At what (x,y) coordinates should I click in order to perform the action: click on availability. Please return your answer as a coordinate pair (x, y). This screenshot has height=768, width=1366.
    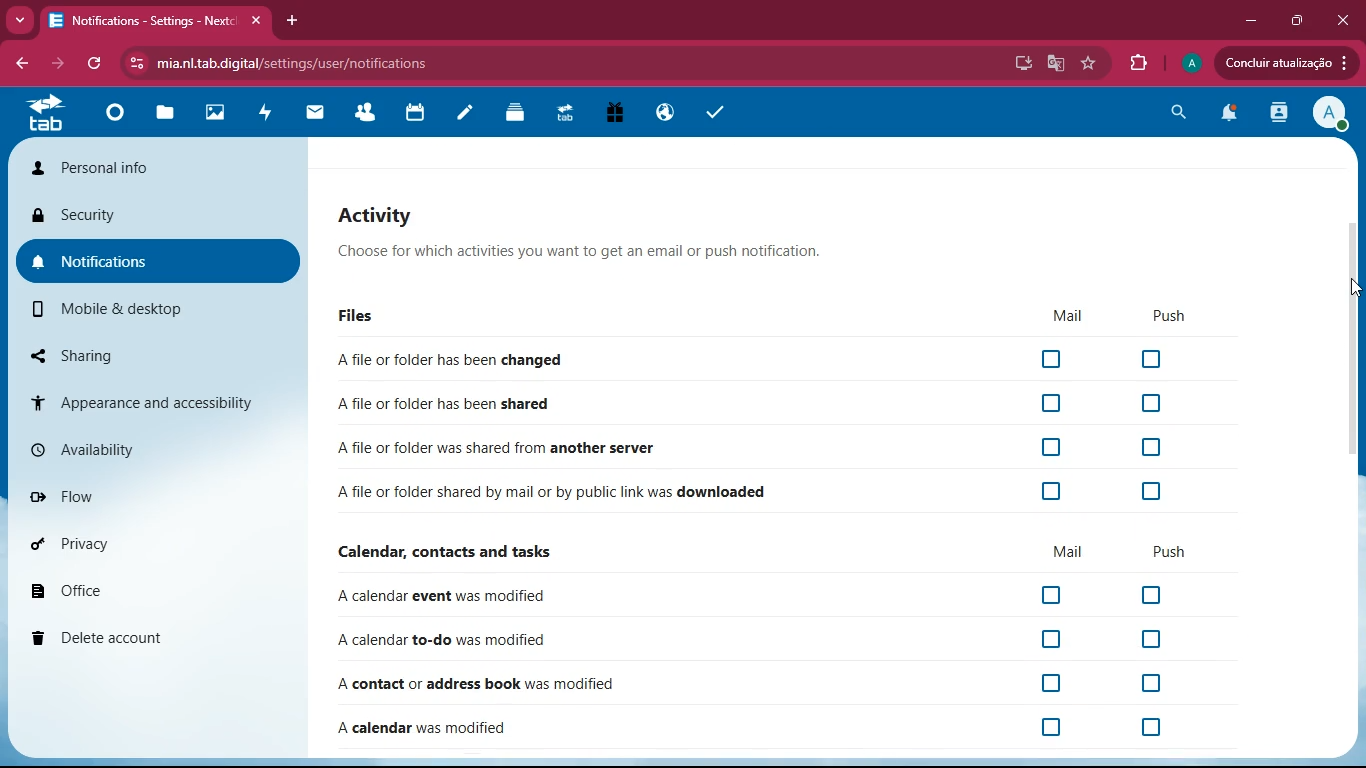
    Looking at the image, I should click on (156, 450).